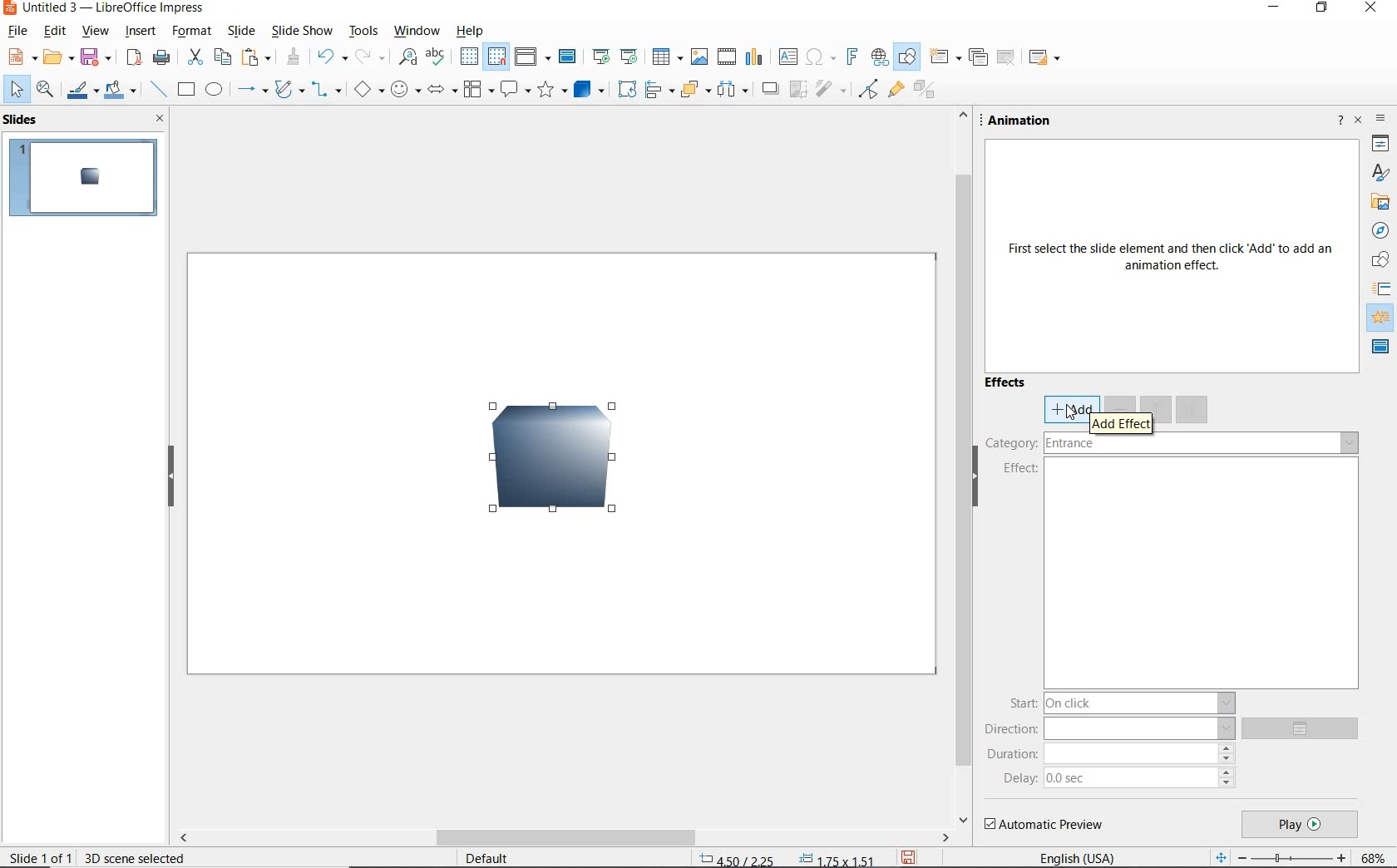 The height and width of the screenshot is (868, 1397). Describe the element at coordinates (515, 90) in the screenshot. I see `callout shapes` at that location.